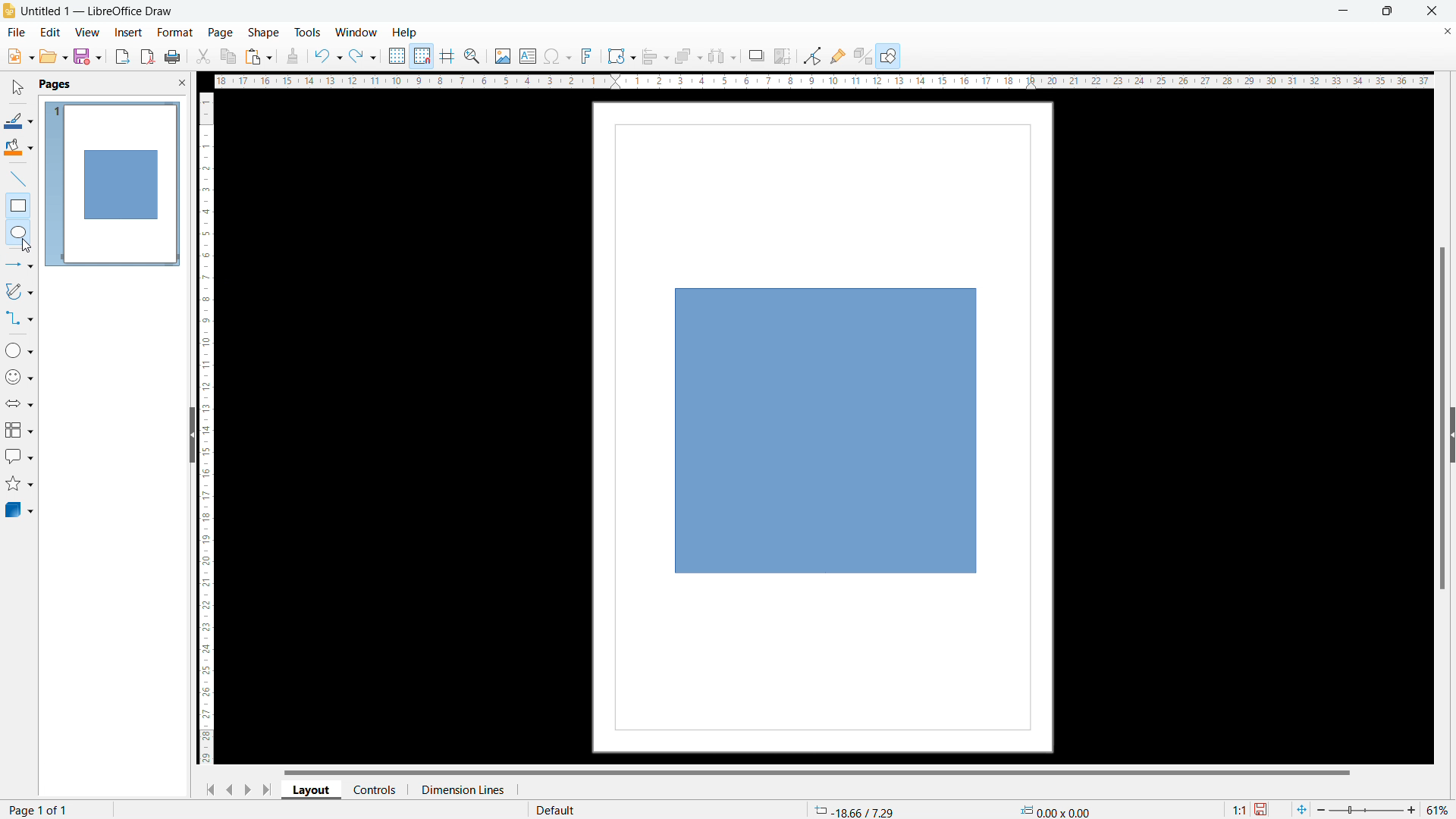 This screenshot has height=819, width=1456. I want to click on help, so click(406, 33).